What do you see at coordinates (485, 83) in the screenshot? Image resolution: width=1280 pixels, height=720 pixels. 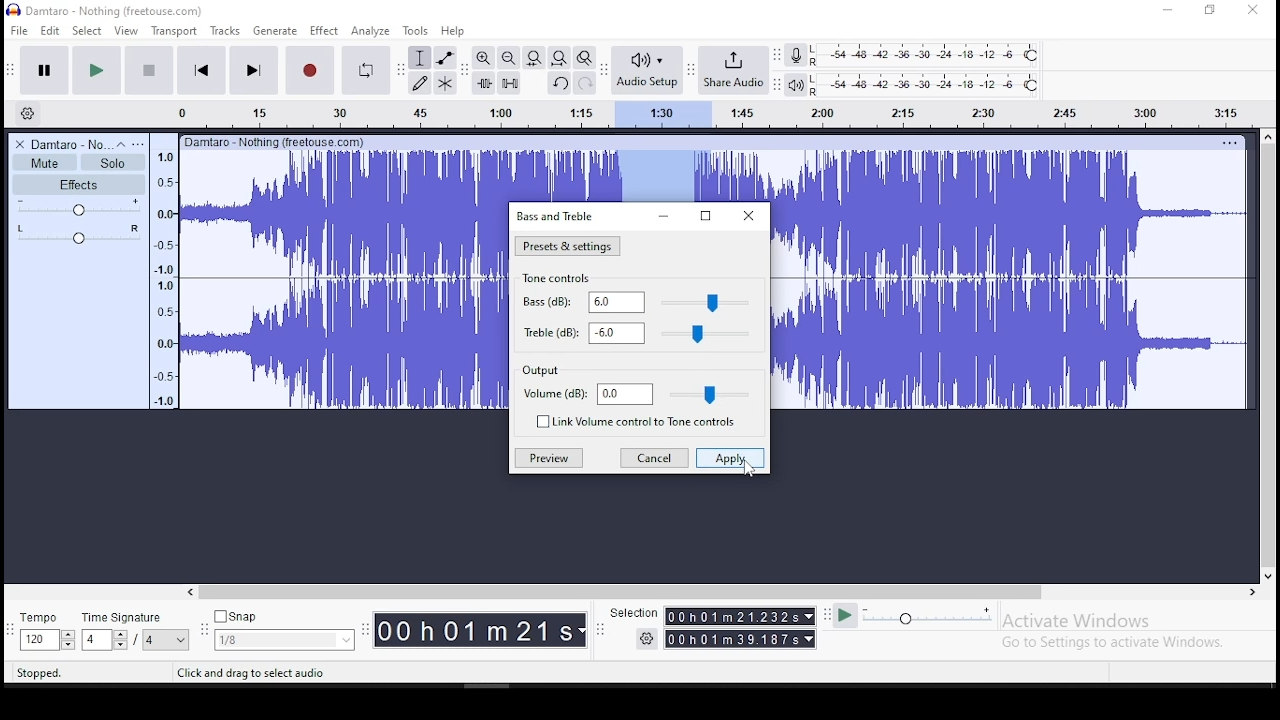 I see `trim audio outside selection` at bounding box center [485, 83].